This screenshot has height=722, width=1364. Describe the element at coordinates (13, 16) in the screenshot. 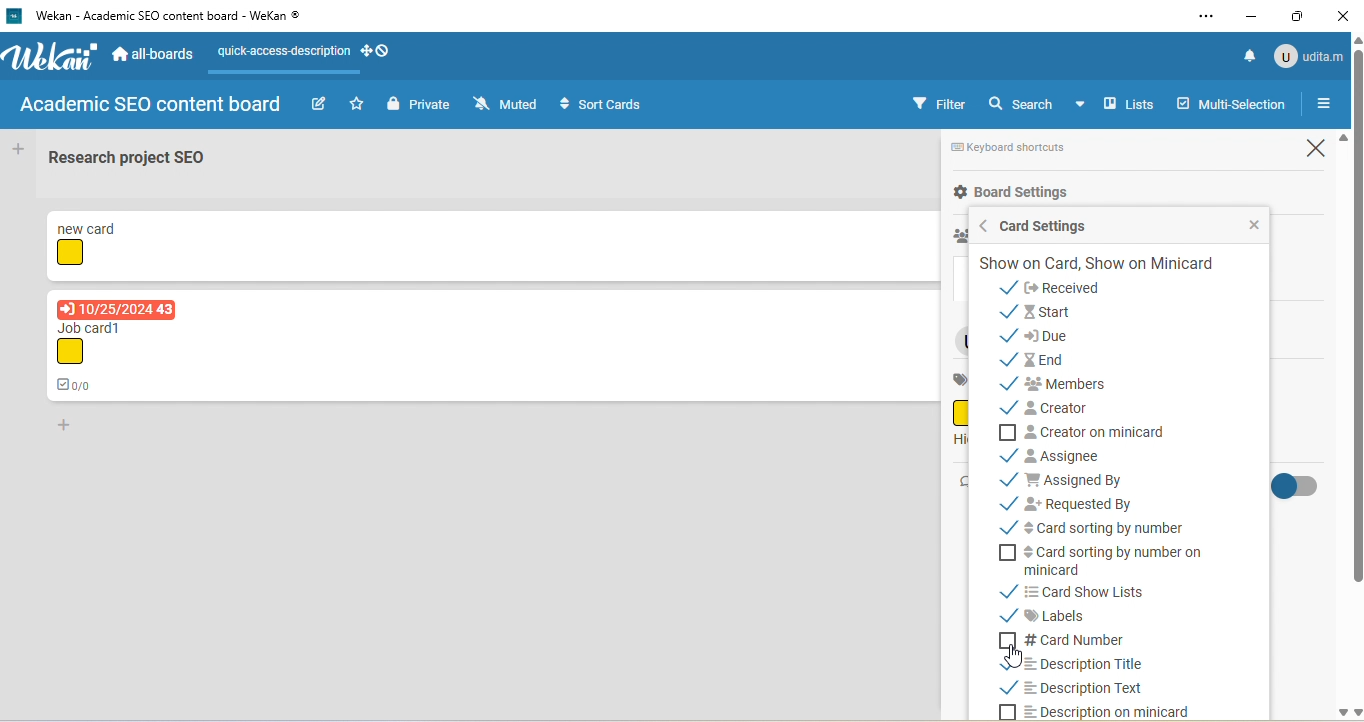

I see `logo` at that location.